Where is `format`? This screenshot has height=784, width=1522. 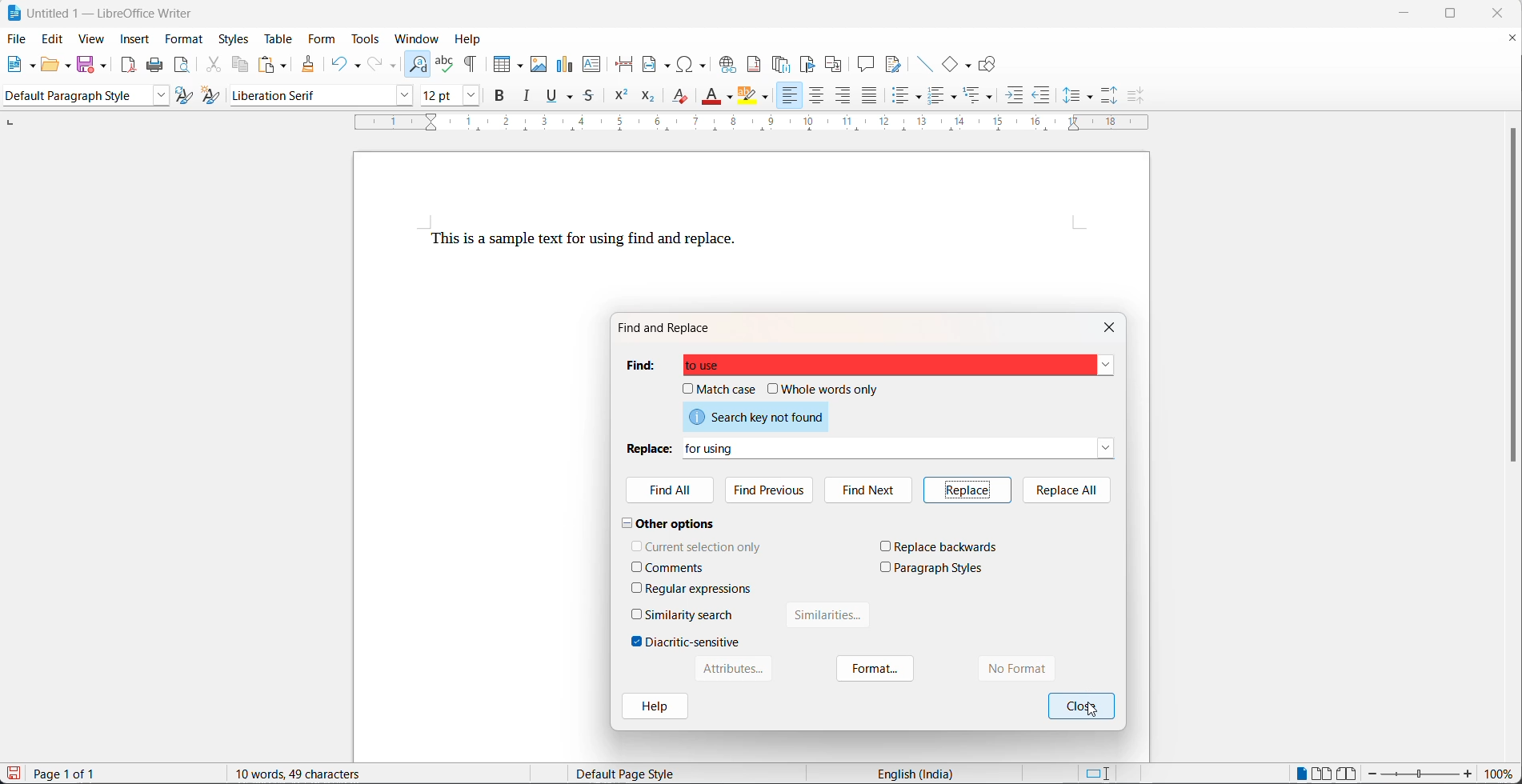 format is located at coordinates (186, 40).